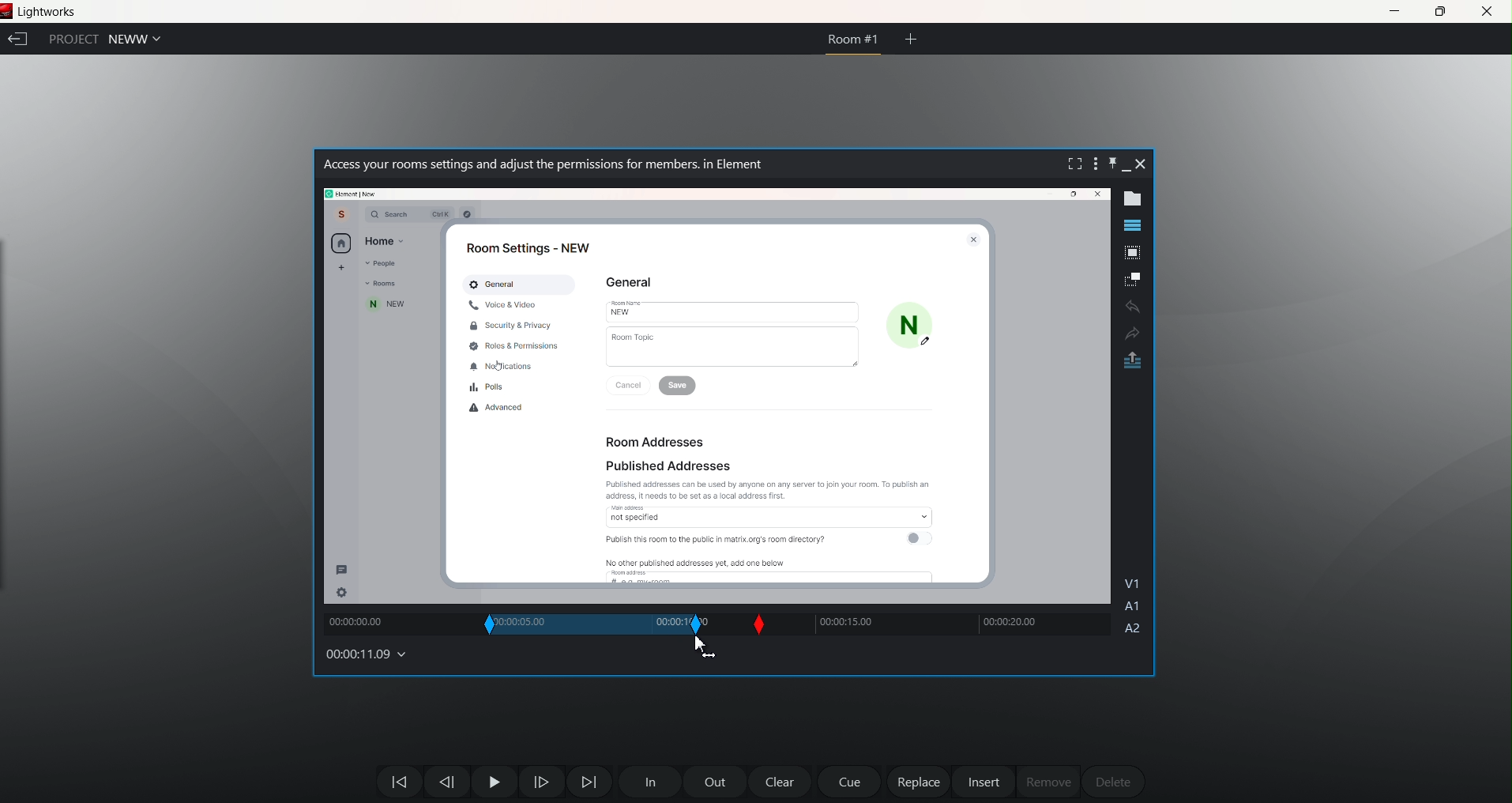 Image resolution: width=1512 pixels, height=803 pixels. I want to click on delete, so click(1113, 781).